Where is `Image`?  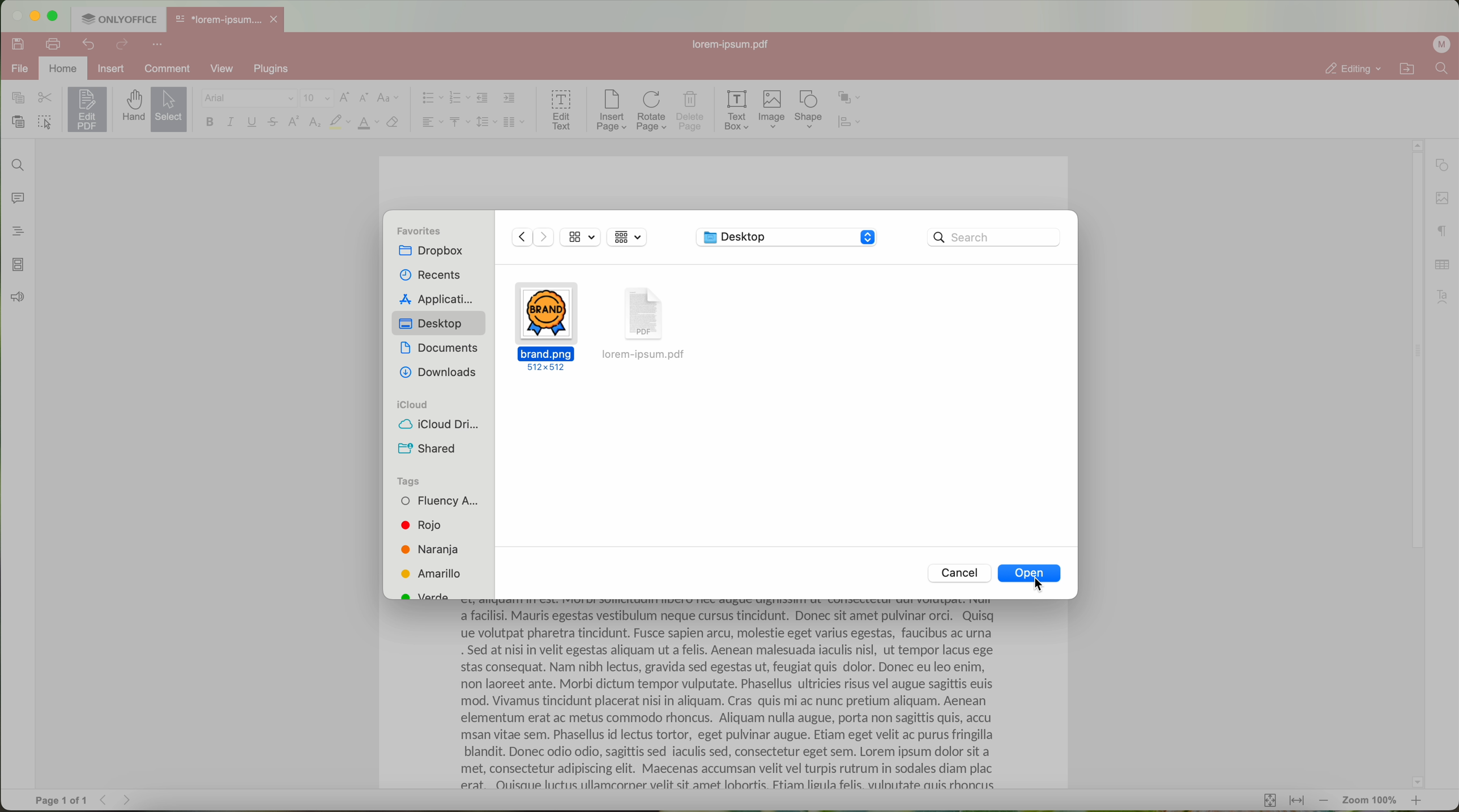
Image is located at coordinates (773, 110).